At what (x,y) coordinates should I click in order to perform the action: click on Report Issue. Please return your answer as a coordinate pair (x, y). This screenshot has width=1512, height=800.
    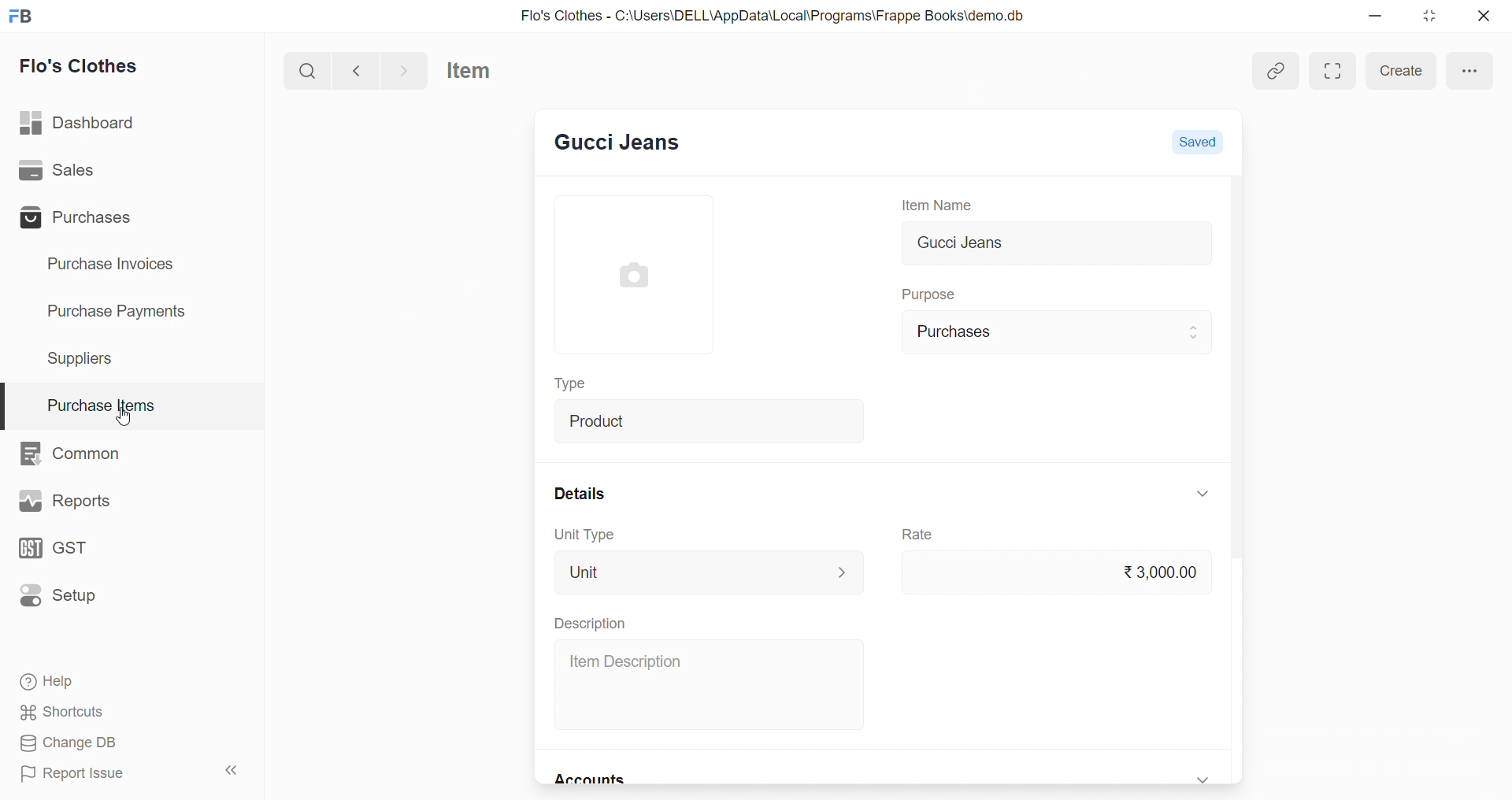
    Looking at the image, I should click on (98, 772).